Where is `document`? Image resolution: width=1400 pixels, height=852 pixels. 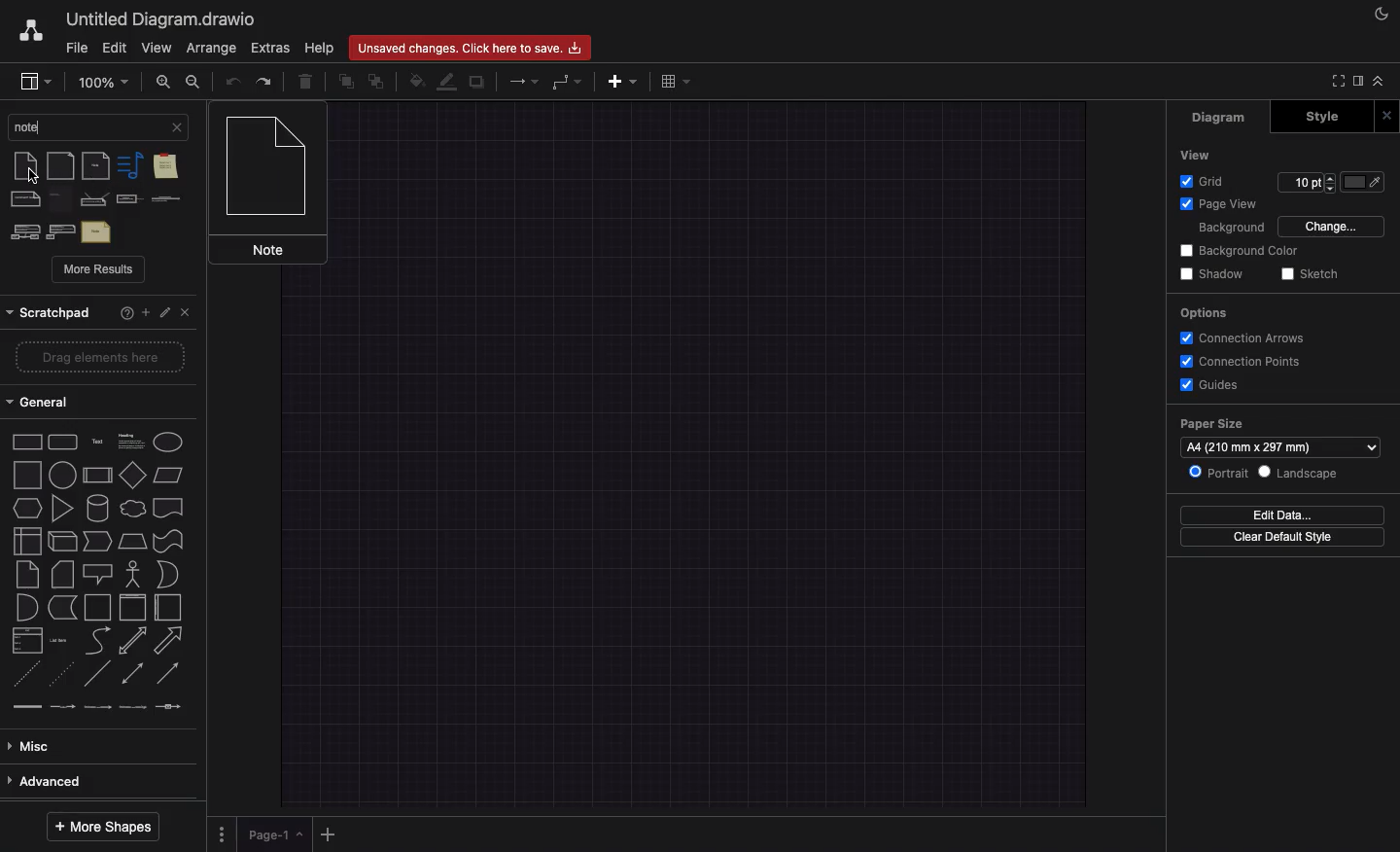 document is located at coordinates (61, 166).